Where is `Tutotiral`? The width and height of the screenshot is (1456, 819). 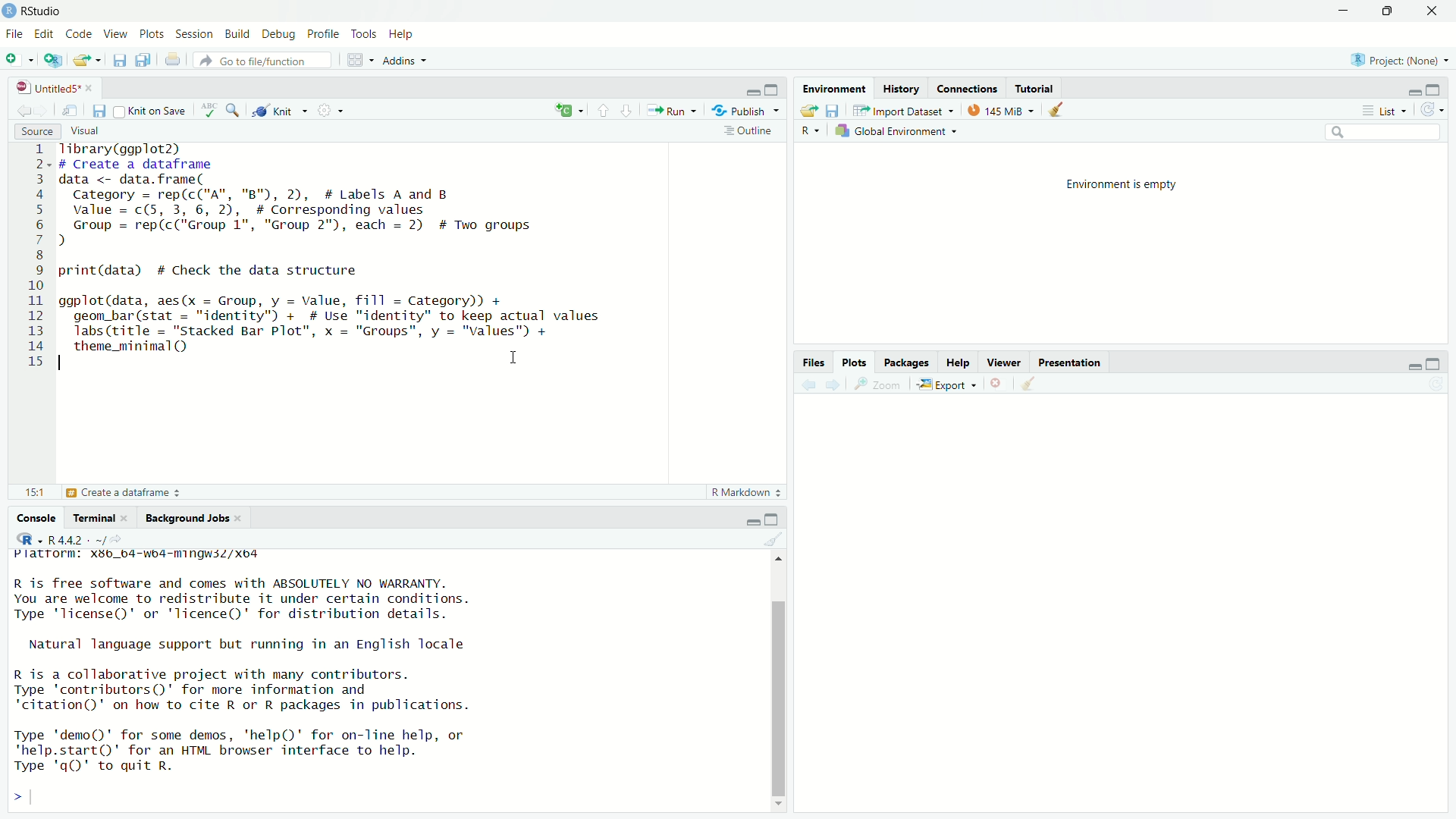 Tutotiral is located at coordinates (1035, 87).